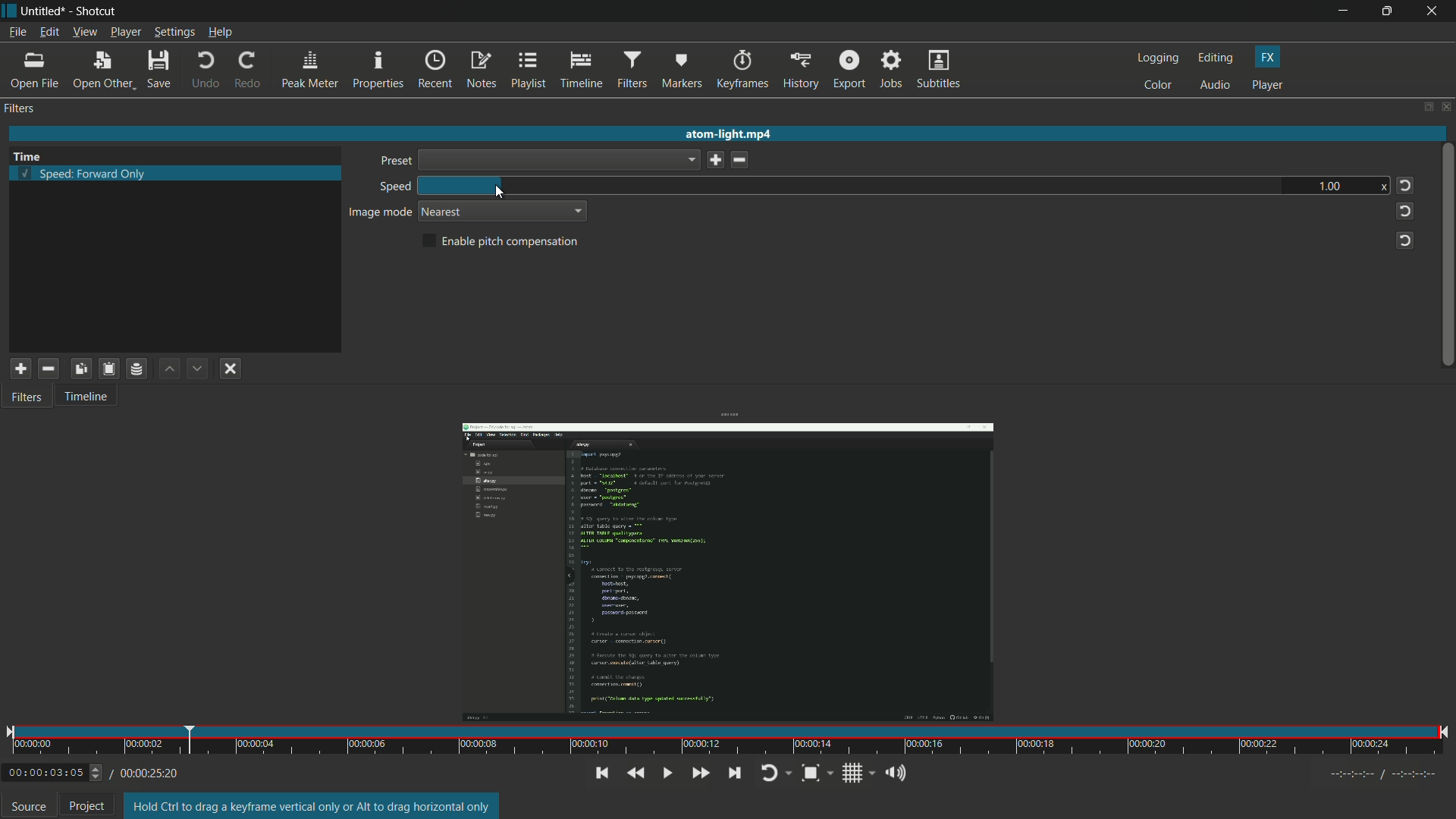 The image size is (1456, 819). Describe the element at coordinates (48, 369) in the screenshot. I see `remove selected filter` at that location.